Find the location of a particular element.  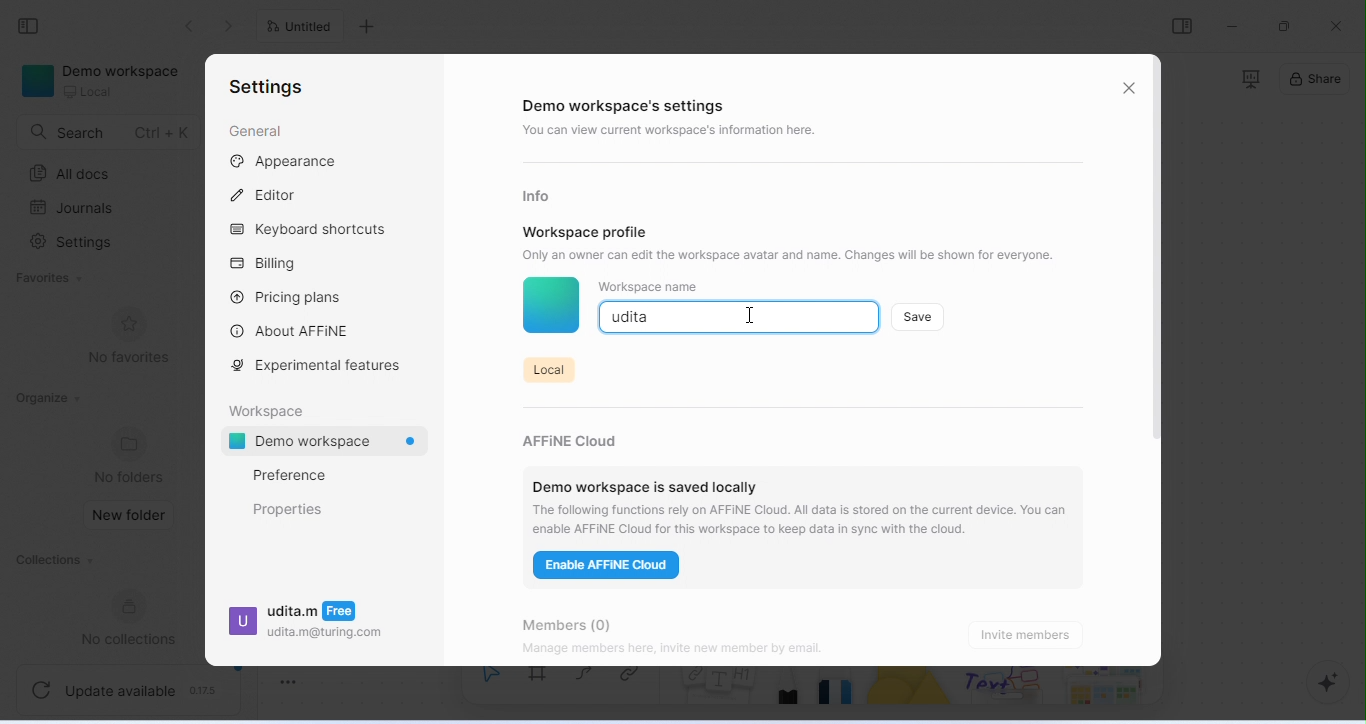

udita.m udita.m@turing.com is located at coordinates (306, 626).